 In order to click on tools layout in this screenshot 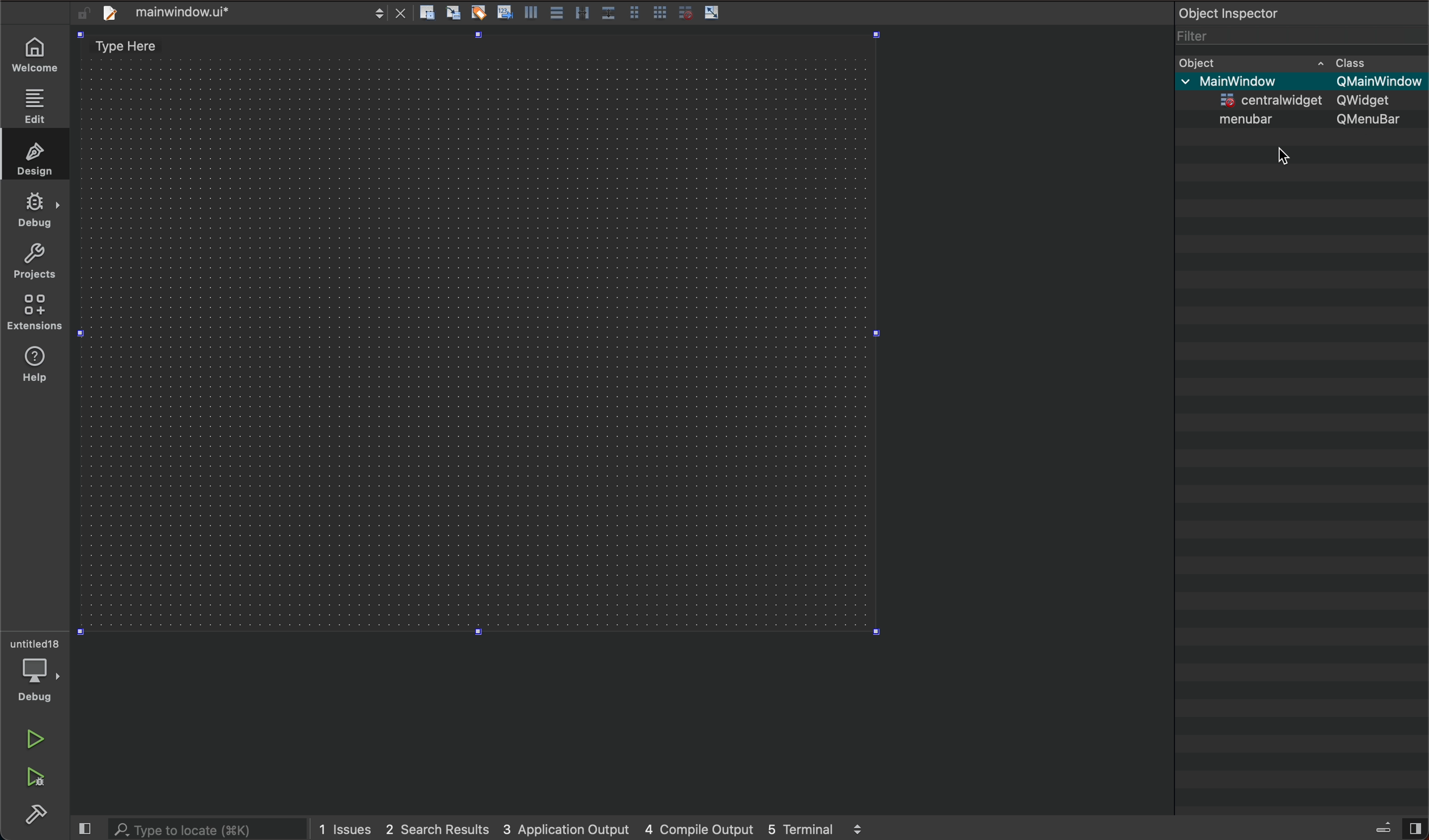, I will do `click(555, 12)`.